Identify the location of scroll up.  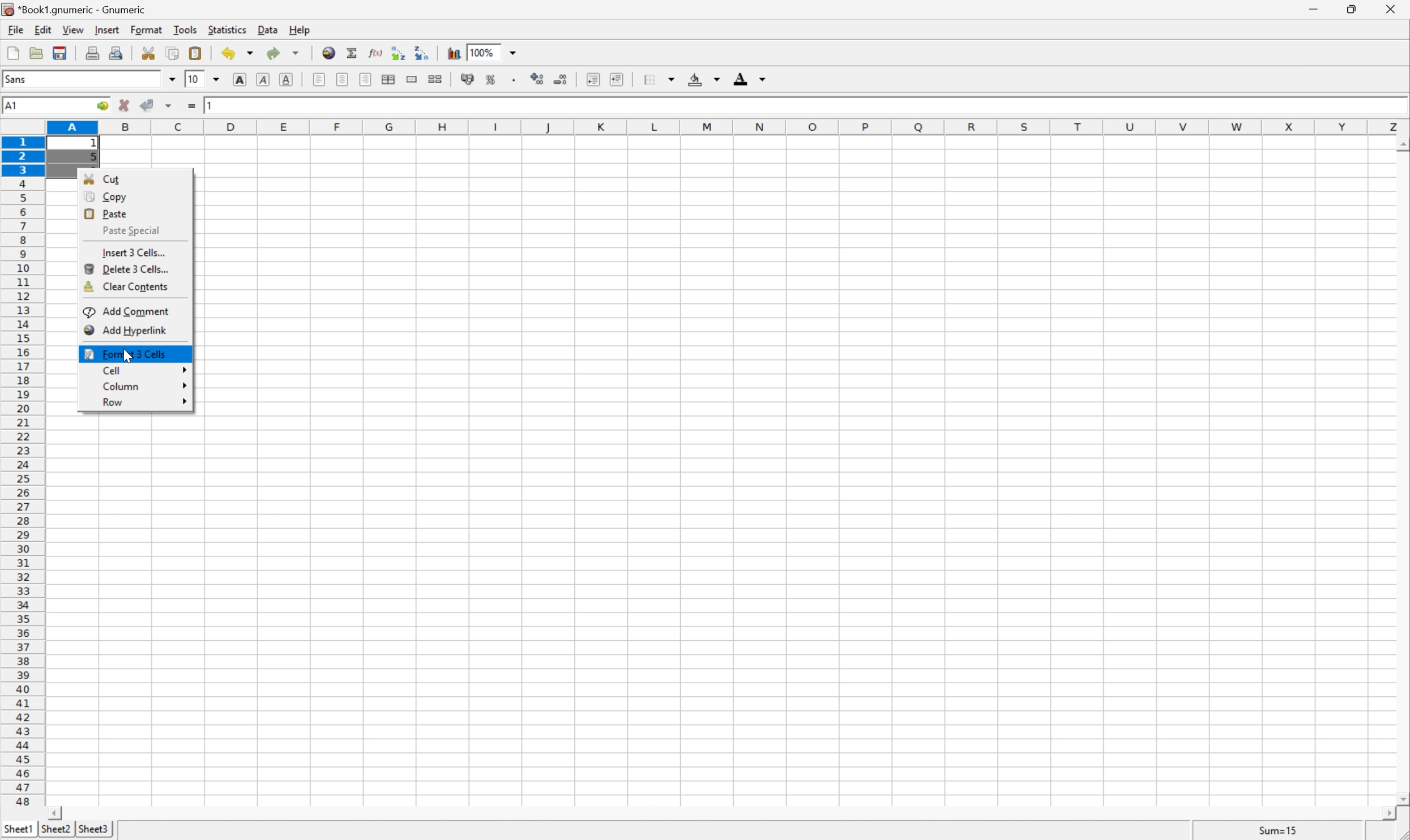
(1401, 145).